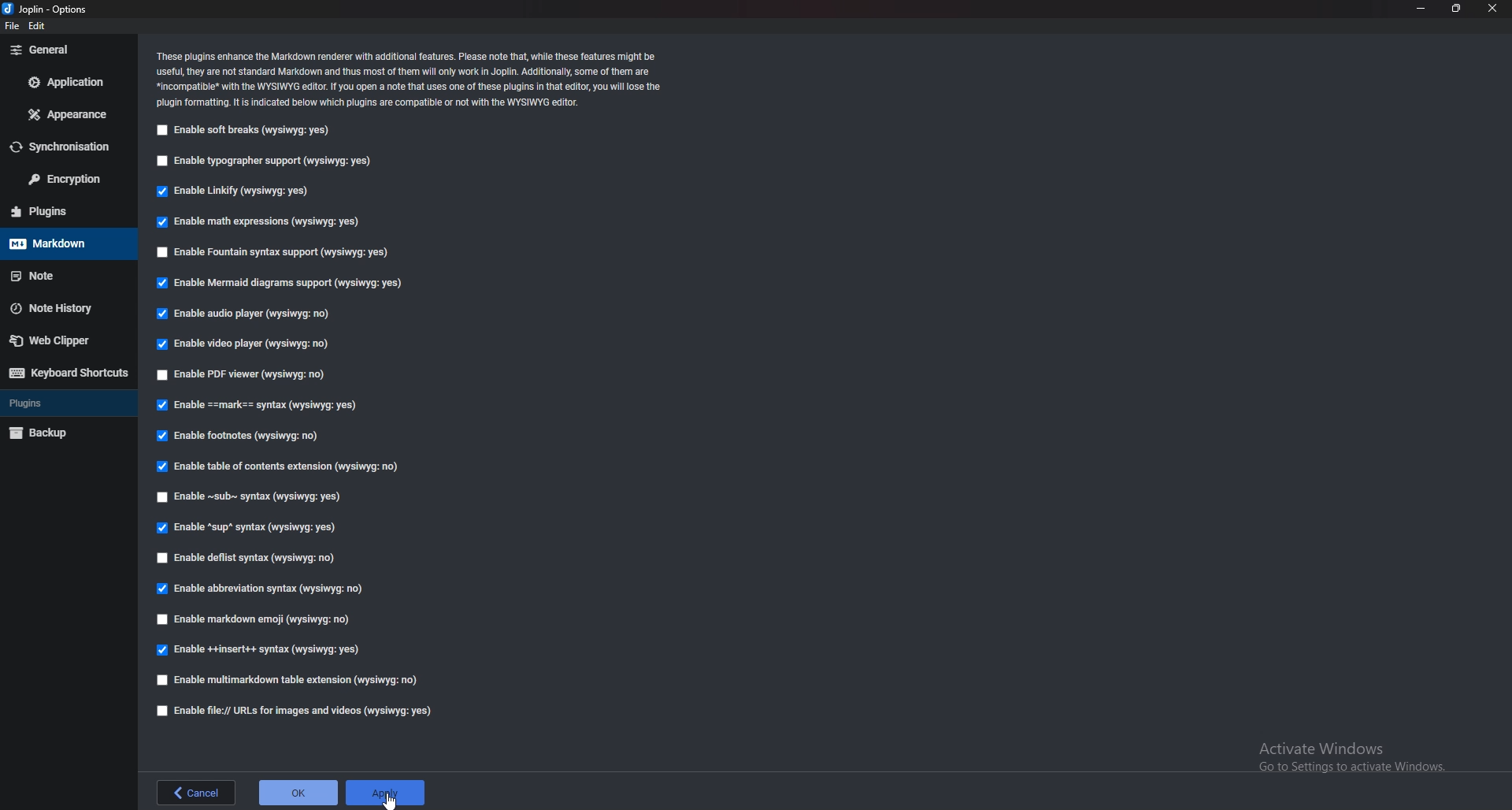  I want to click on back, so click(198, 792).